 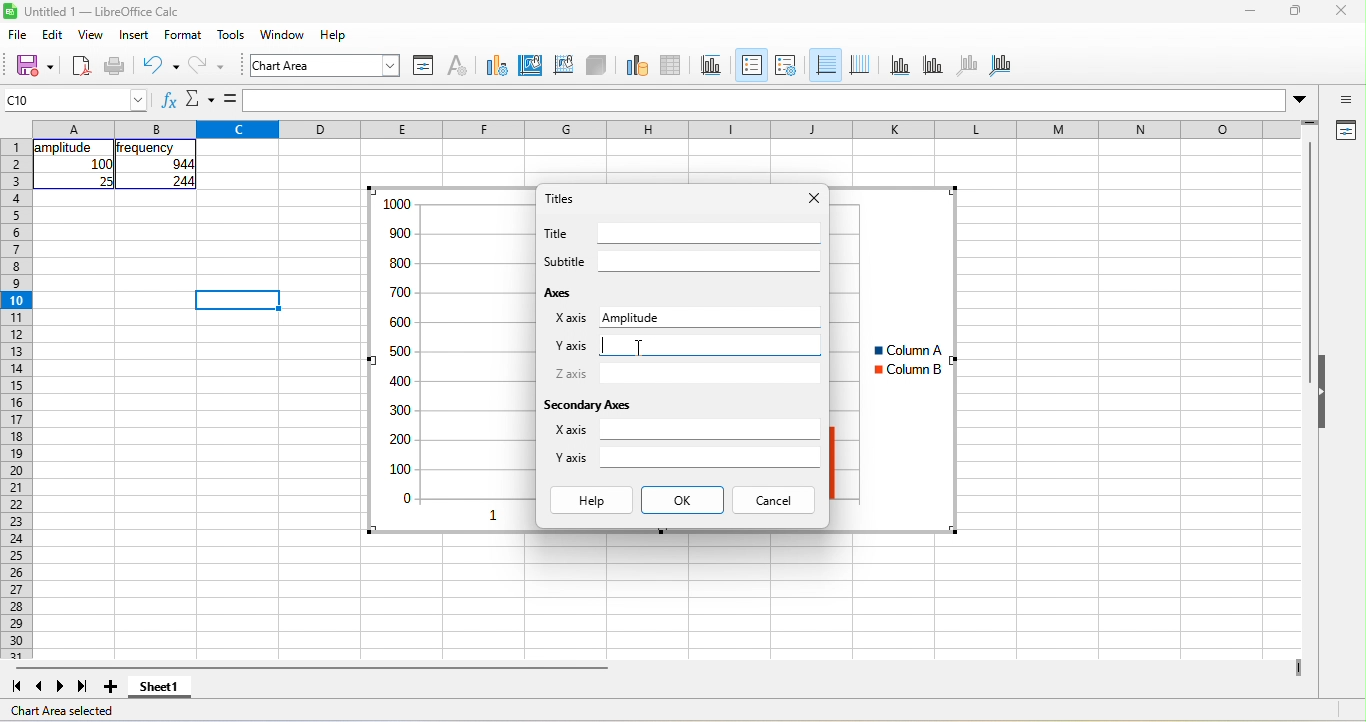 I want to click on Title, so click(x=555, y=233).